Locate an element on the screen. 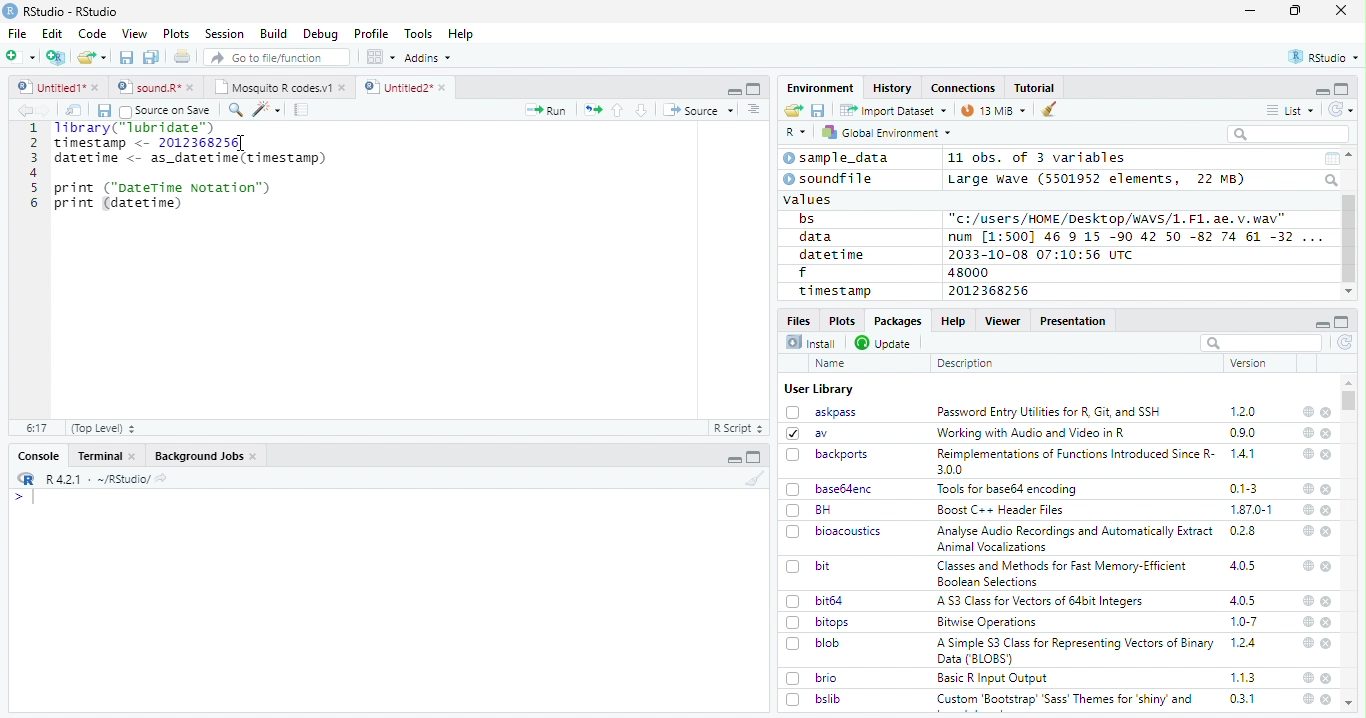  Viewer is located at coordinates (1003, 320).